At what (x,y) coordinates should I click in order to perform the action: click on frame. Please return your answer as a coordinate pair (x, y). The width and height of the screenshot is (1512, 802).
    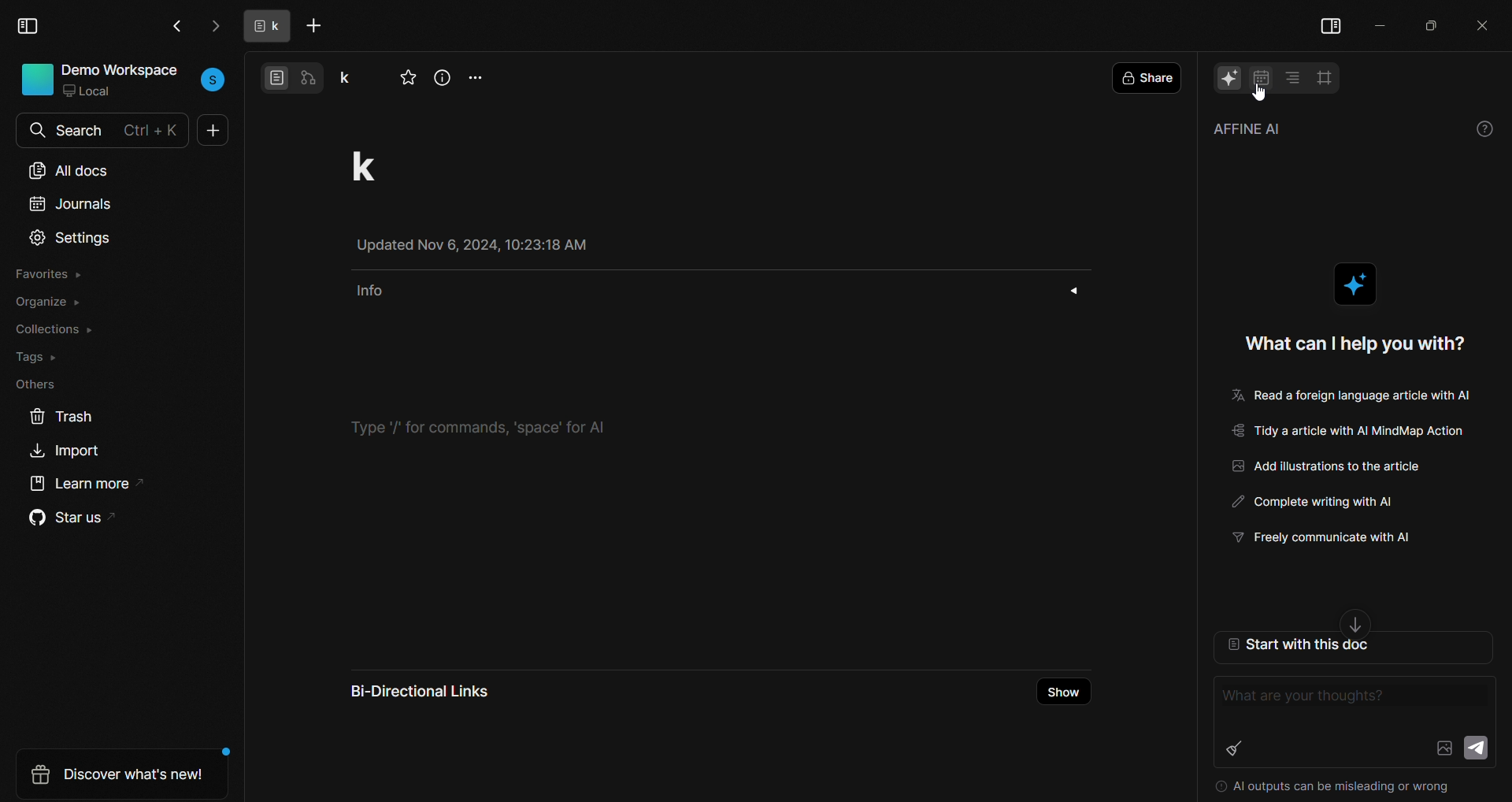
    Looking at the image, I should click on (1326, 78).